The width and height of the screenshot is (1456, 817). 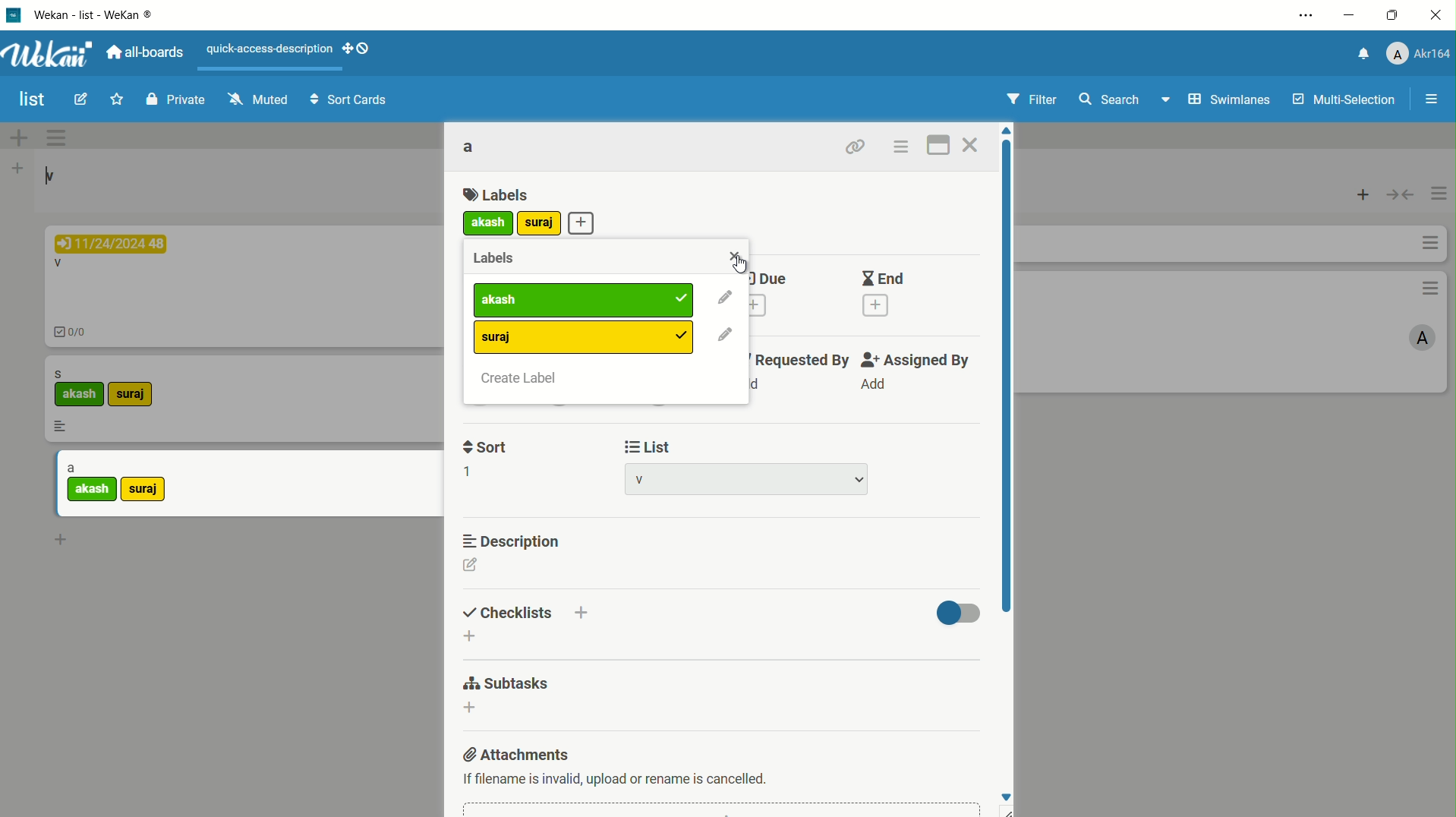 What do you see at coordinates (1006, 131) in the screenshot?
I see `move up` at bounding box center [1006, 131].